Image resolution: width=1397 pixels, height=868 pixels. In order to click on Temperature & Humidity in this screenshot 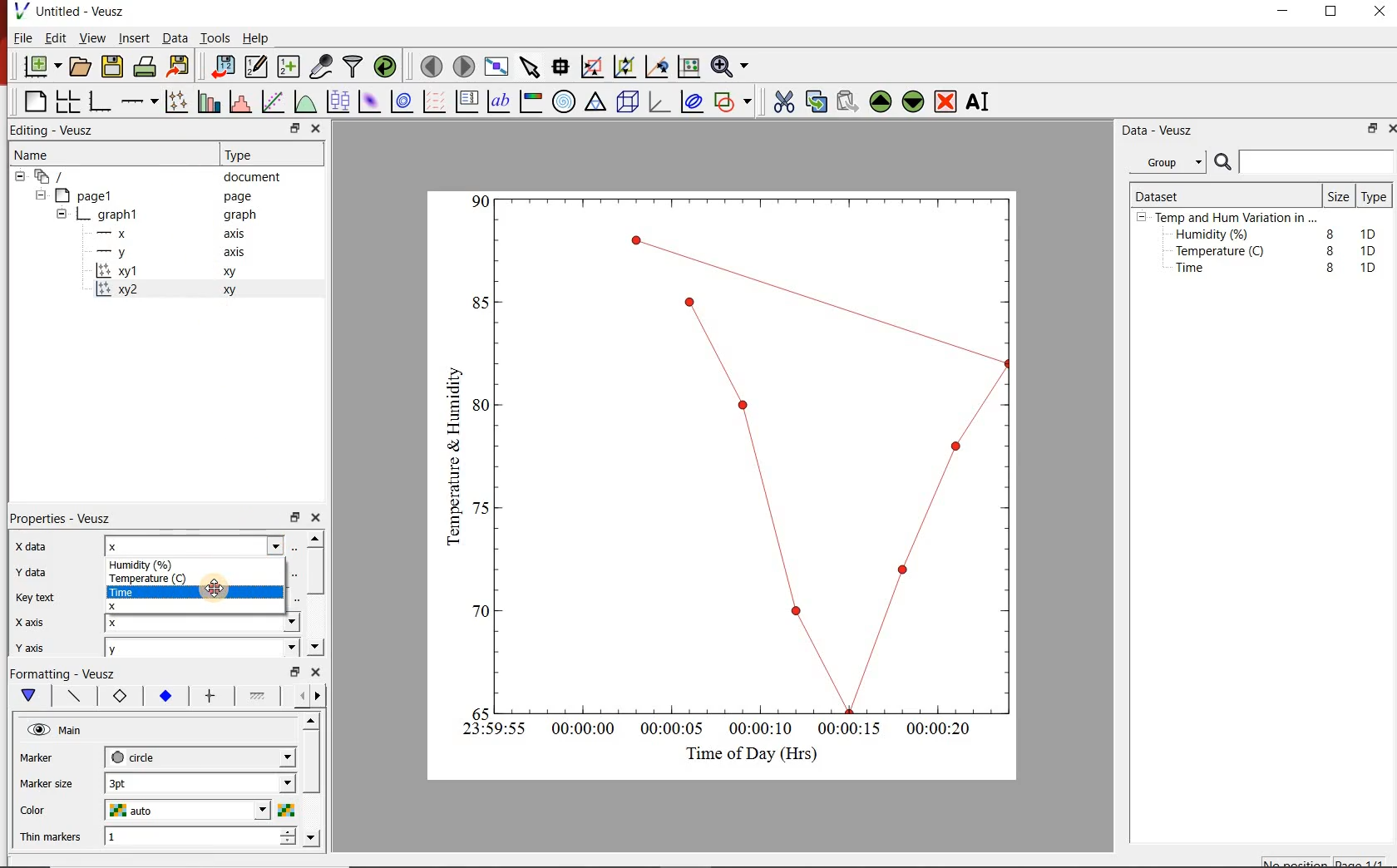, I will do `click(449, 451)`.